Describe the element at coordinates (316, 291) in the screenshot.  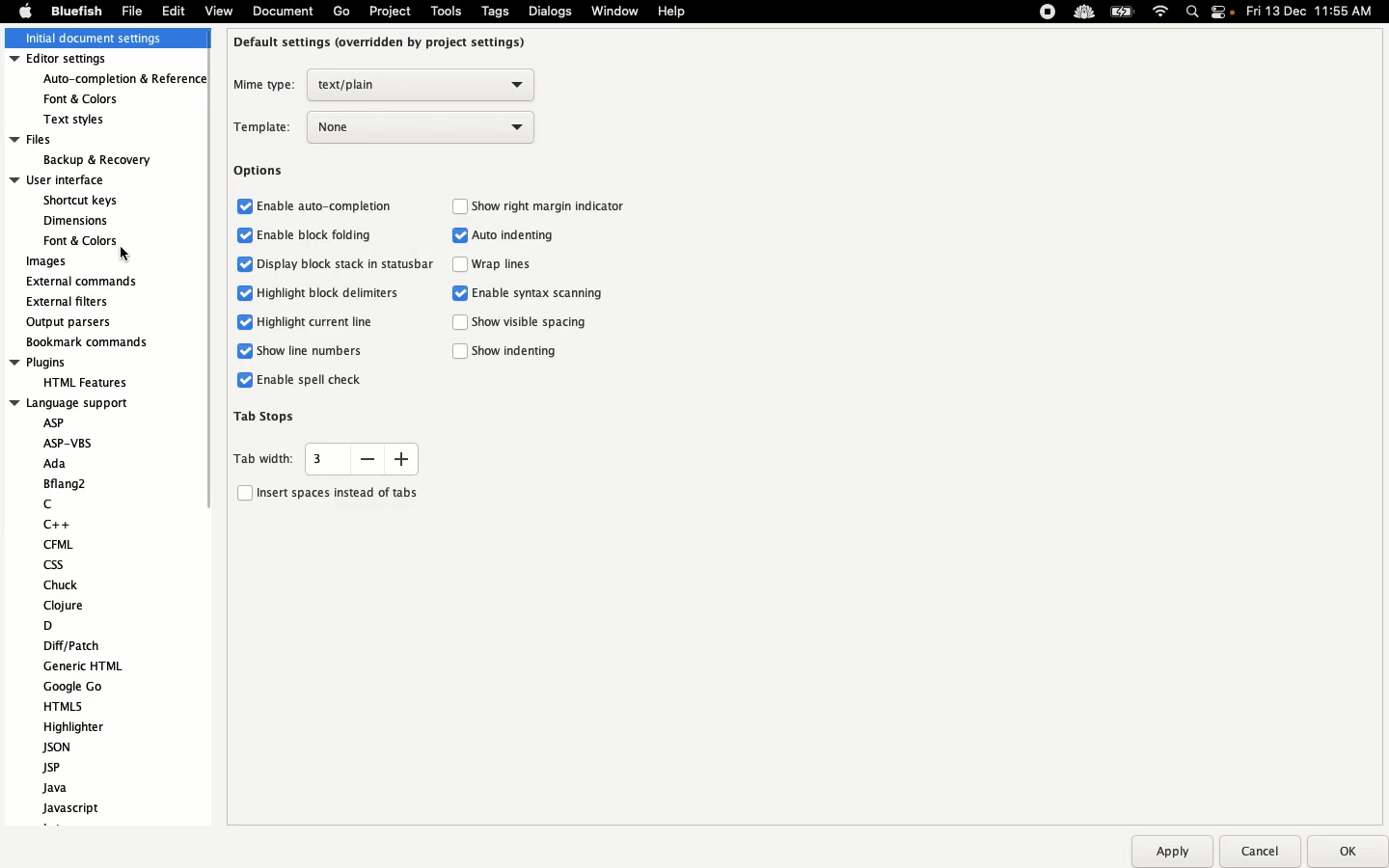
I see `Highlight block delimiters ` at that location.